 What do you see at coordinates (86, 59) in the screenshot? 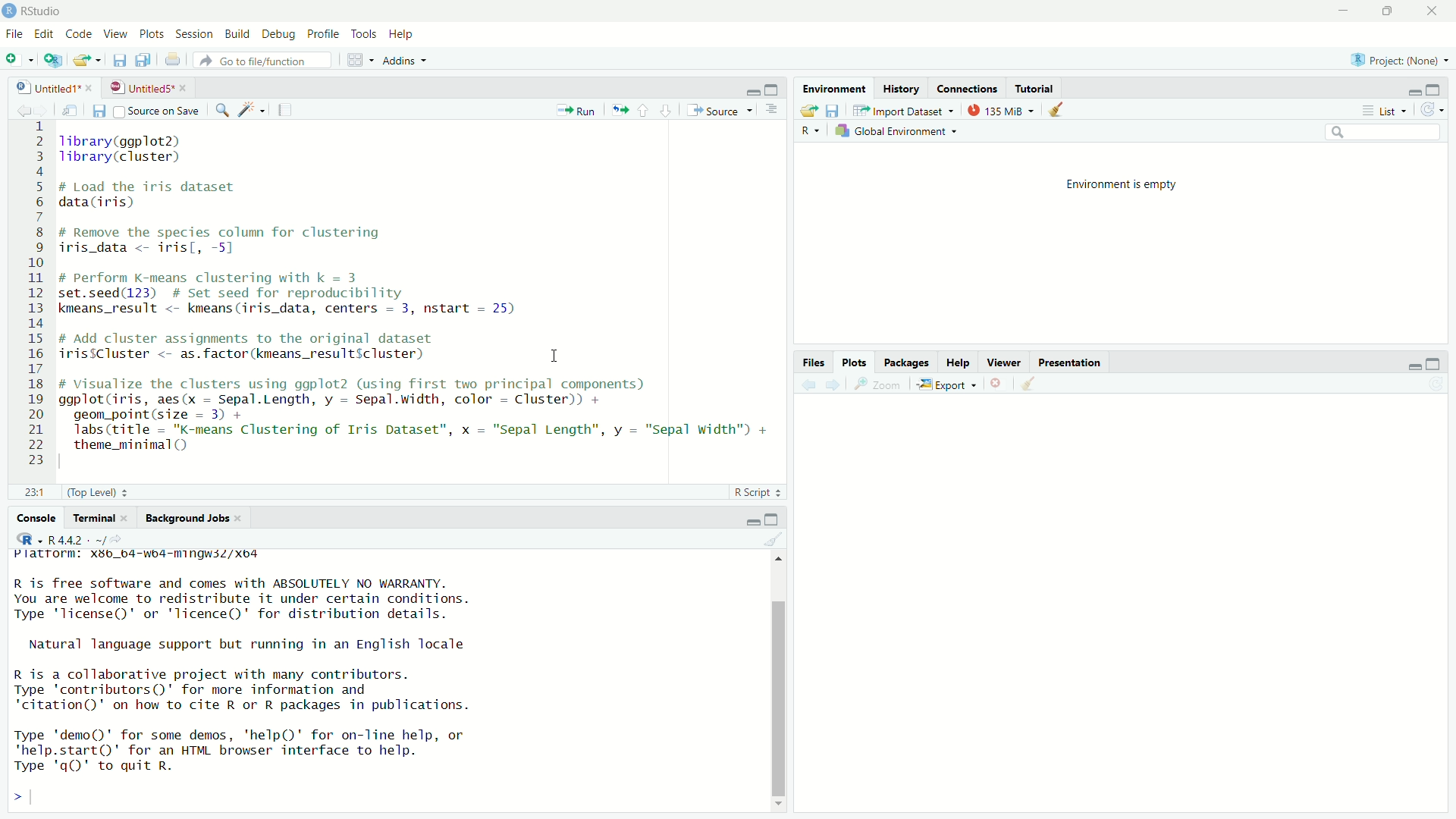
I see `open an existing file` at bounding box center [86, 59].